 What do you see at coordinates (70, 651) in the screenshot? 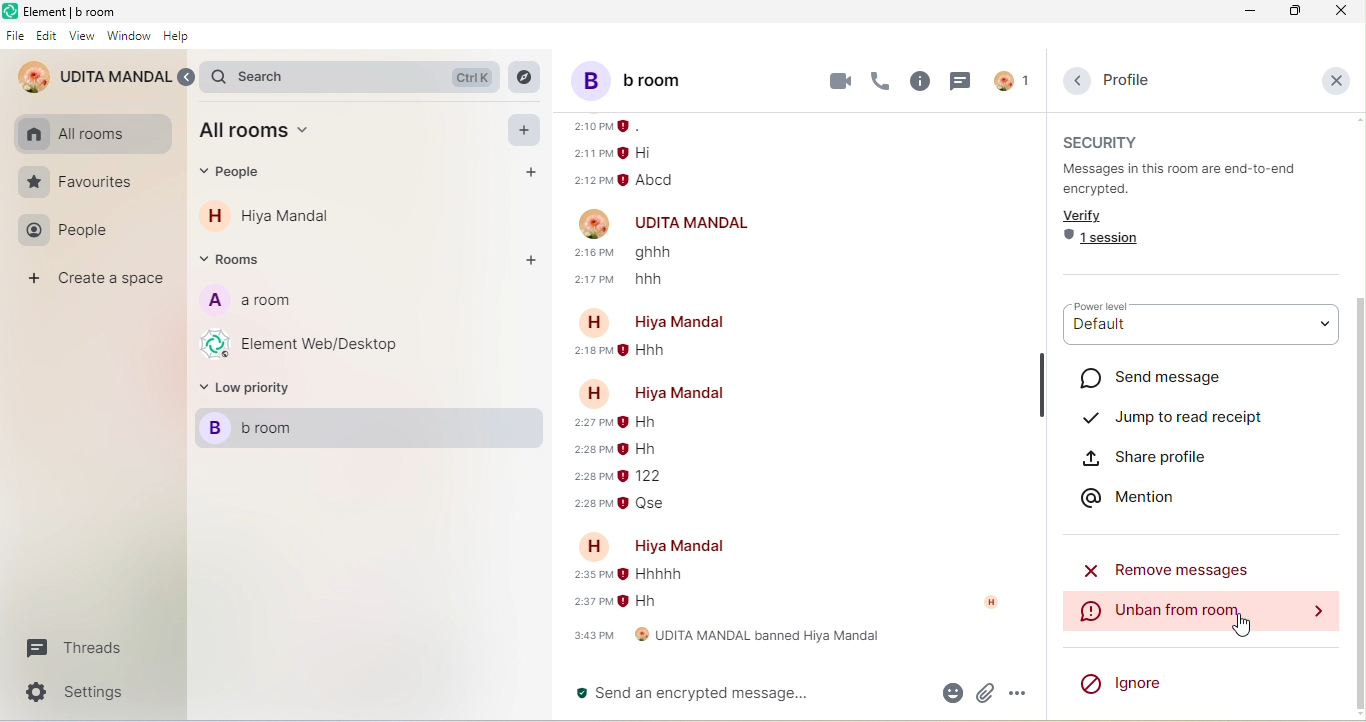
I see `threads` at bounding box center [70, 651].